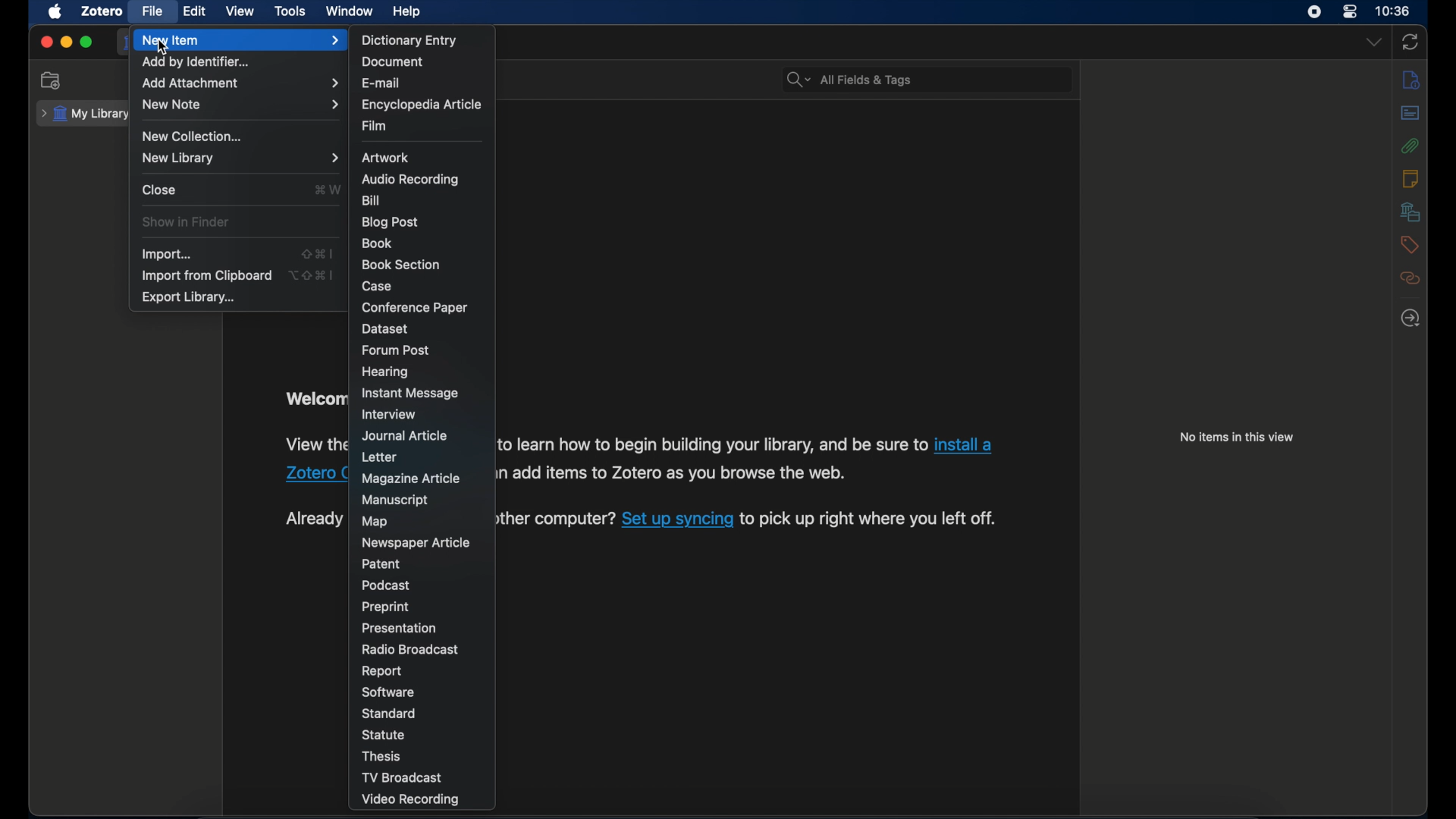  I want to click on tags, so click(1410, 245).